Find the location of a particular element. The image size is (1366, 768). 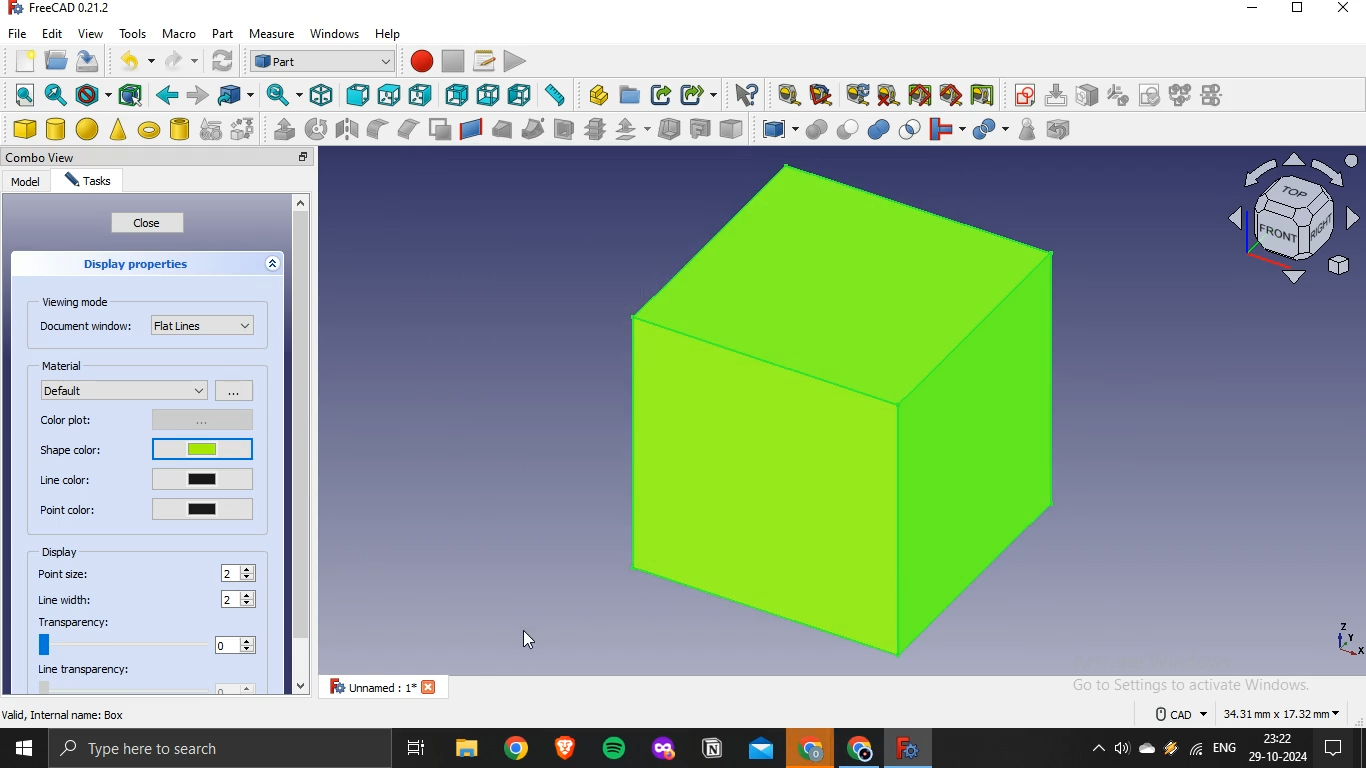

show hidden icons is located at coordinates (1094, 750).